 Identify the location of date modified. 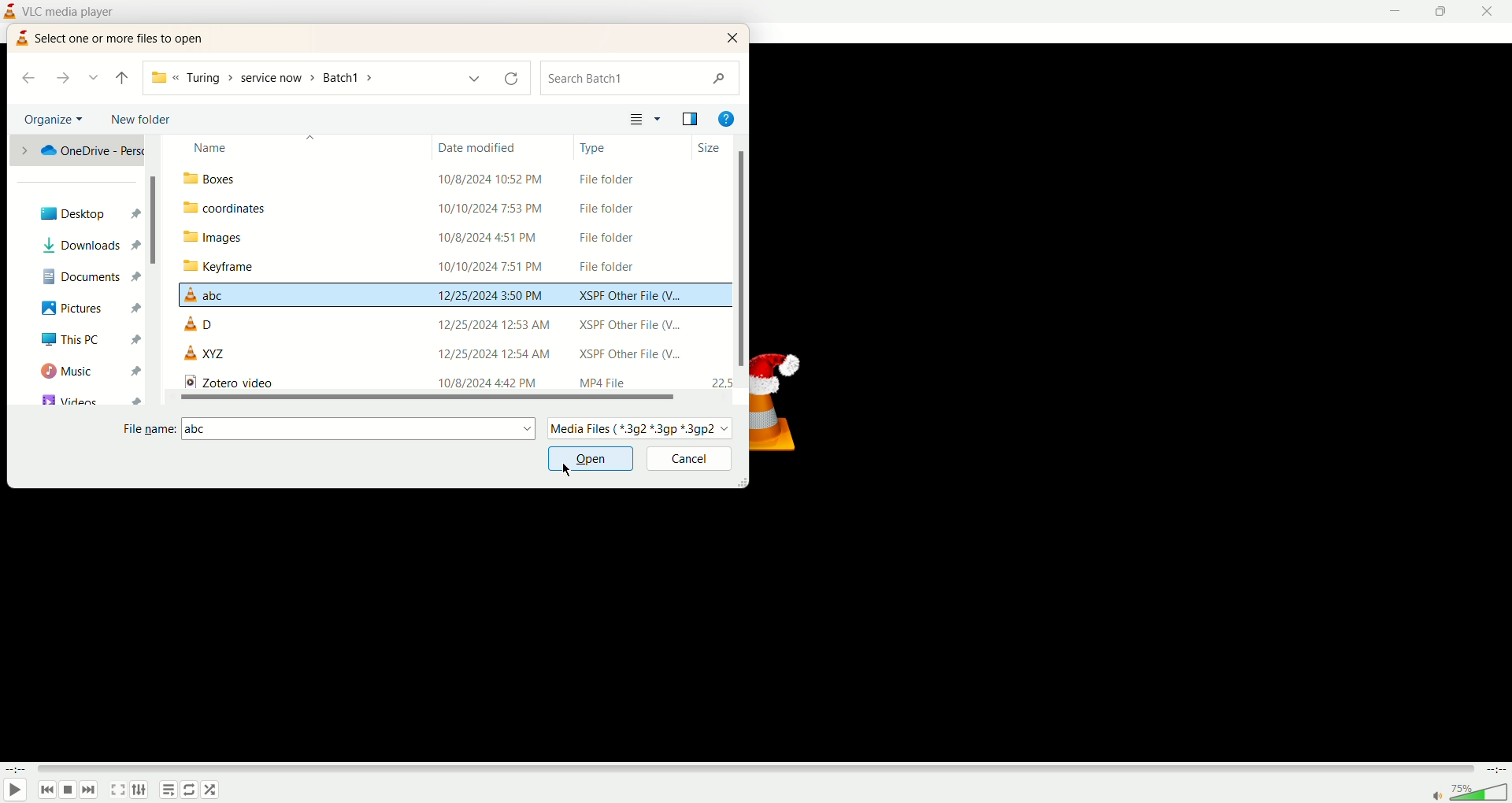
(484, 146).